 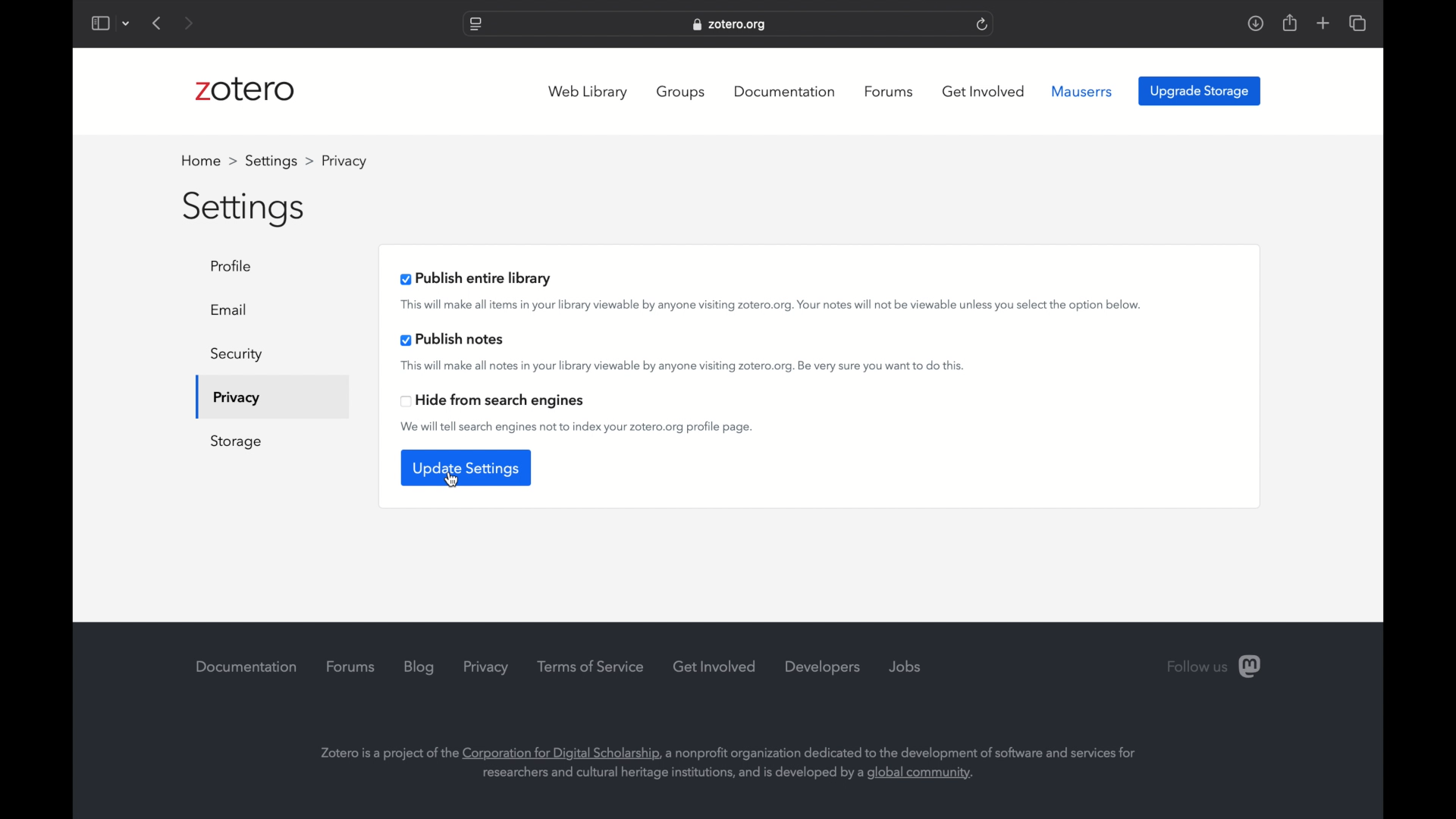 What do you see at coordinates (590, 667) in the screenshot?
I see `terms of service` at bounding box center [590, 667].